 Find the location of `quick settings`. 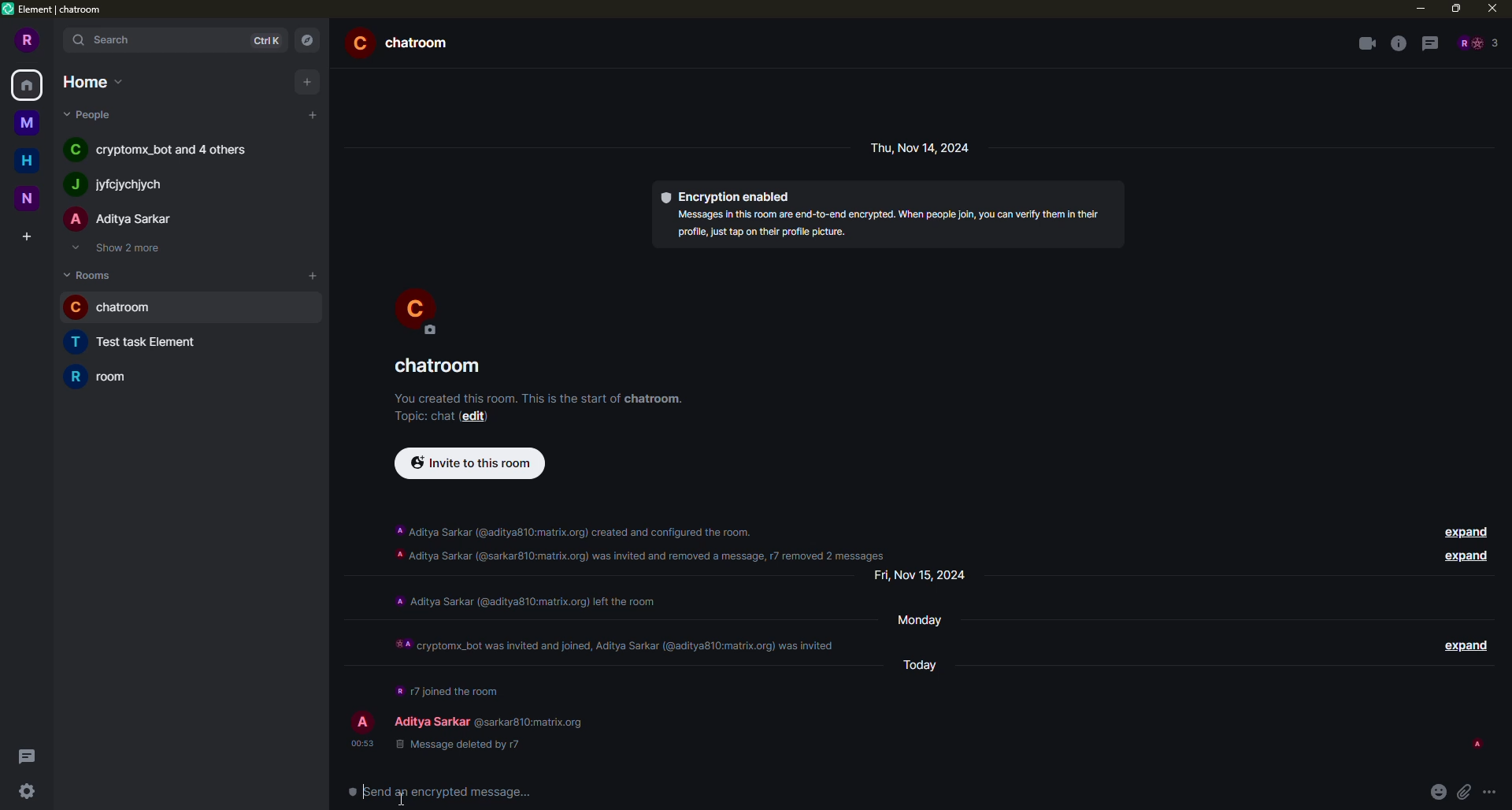

quick settings is located at coordinates (25, 793).